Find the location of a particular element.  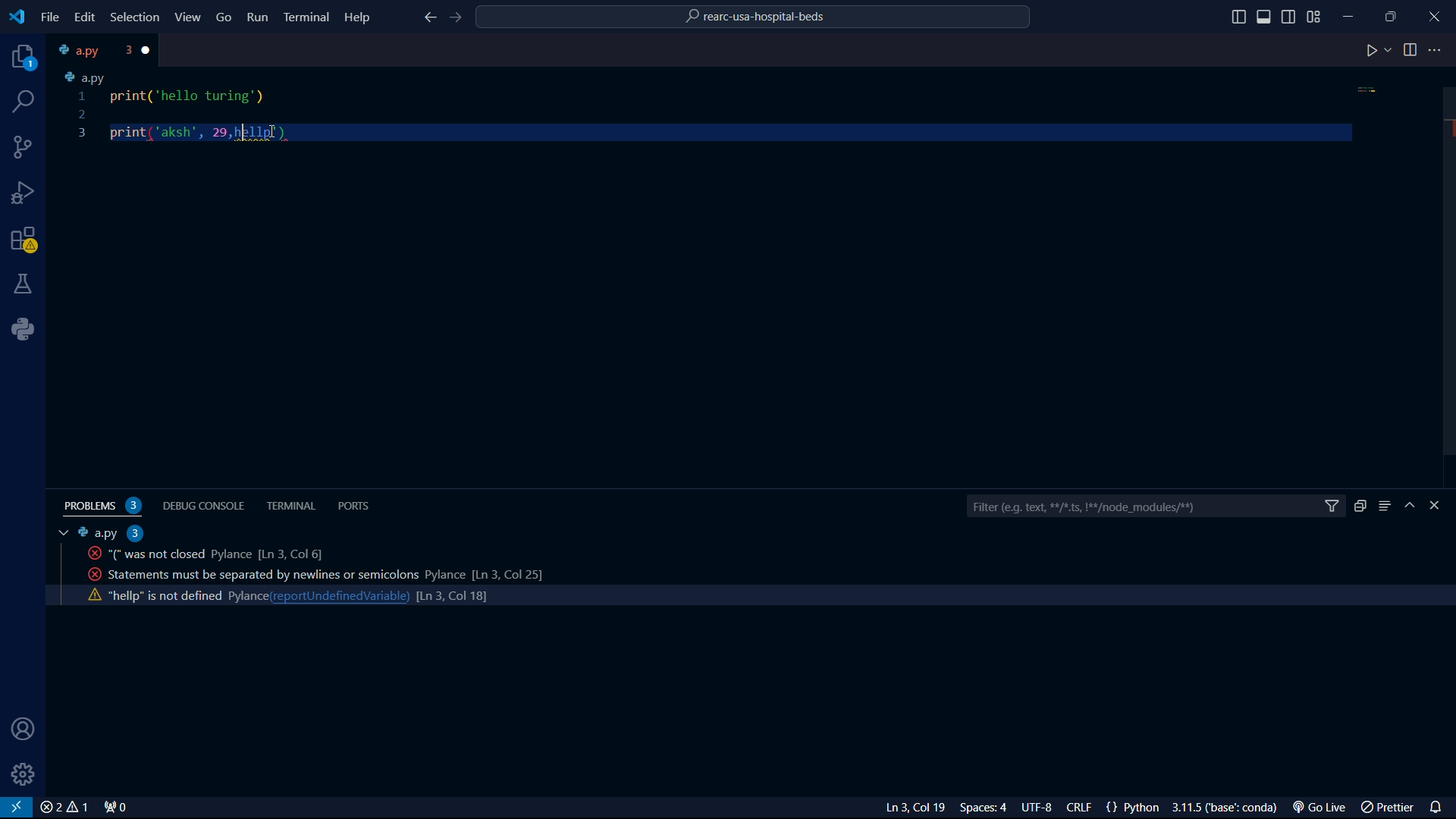

problems 2 is located at coordinates (106, 506).